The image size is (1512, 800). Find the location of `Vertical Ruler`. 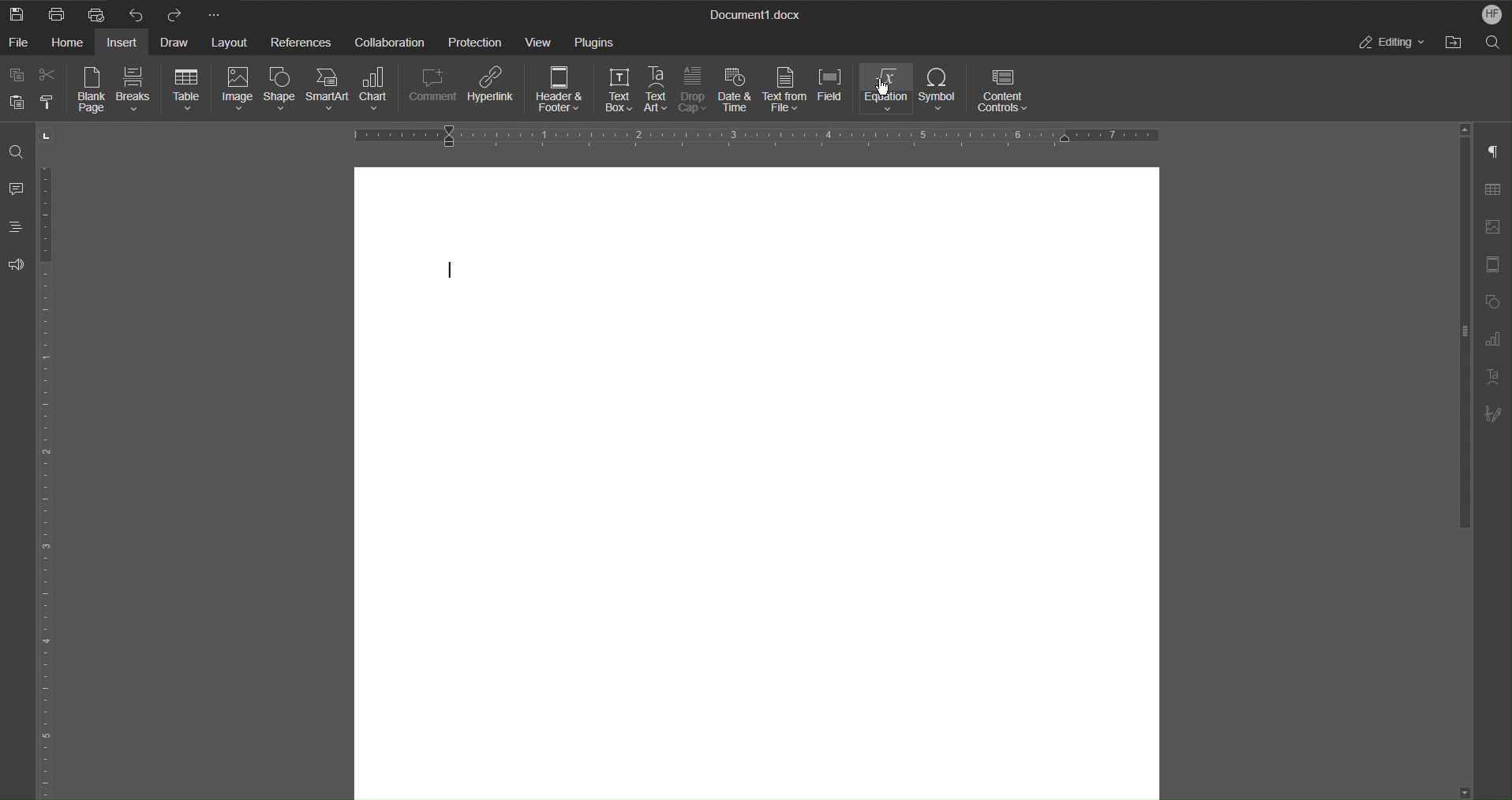

Vertical Ruler is located at coordinates (42, 480).